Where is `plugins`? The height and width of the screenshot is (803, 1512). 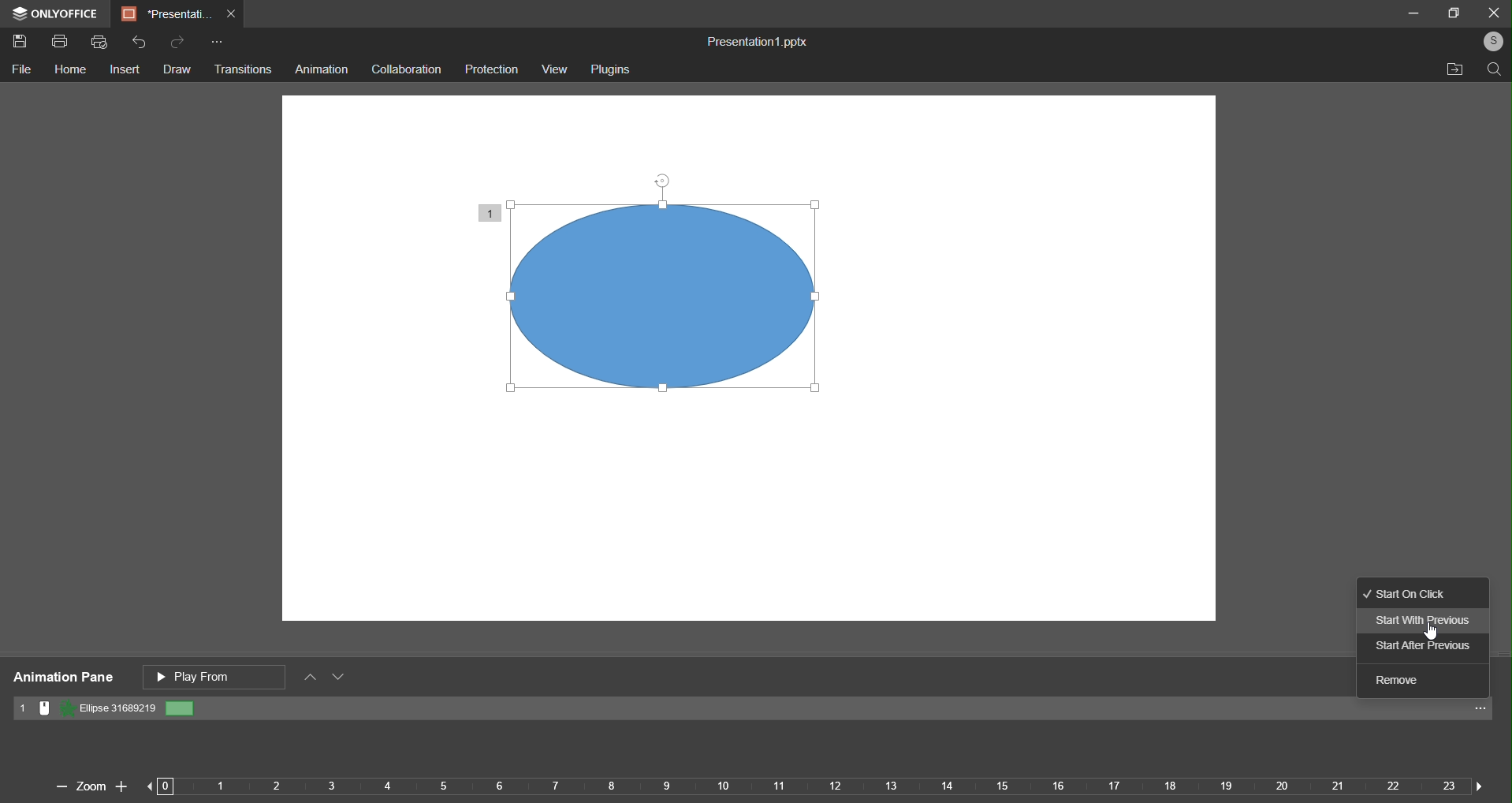
plugins is located at coordinates (609, 69).